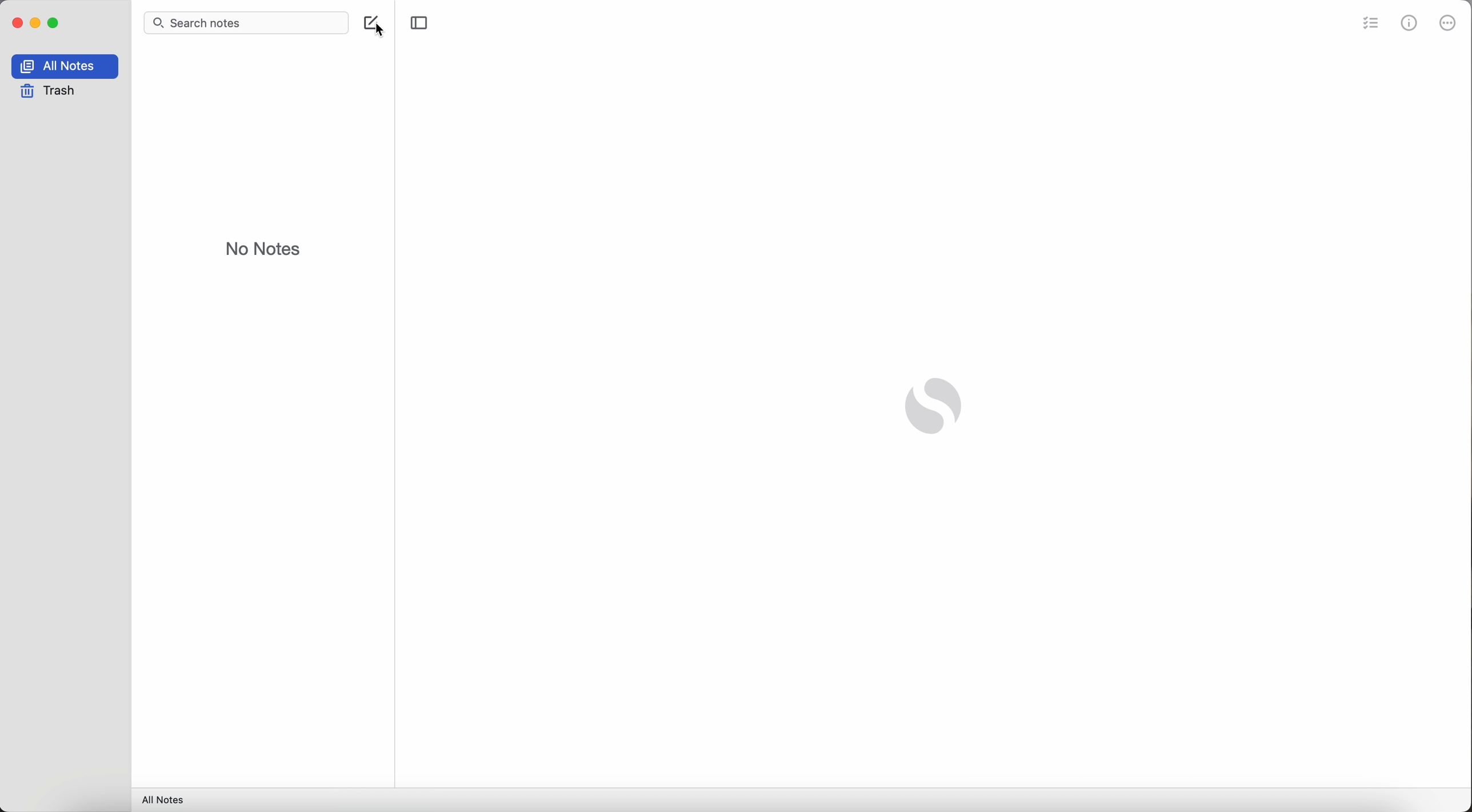 The image size is (1472, 812). What do you see at coordinates (38, 23) in the screenshot?
I see `minimize Simplenote` at bounding box center [38, 23].